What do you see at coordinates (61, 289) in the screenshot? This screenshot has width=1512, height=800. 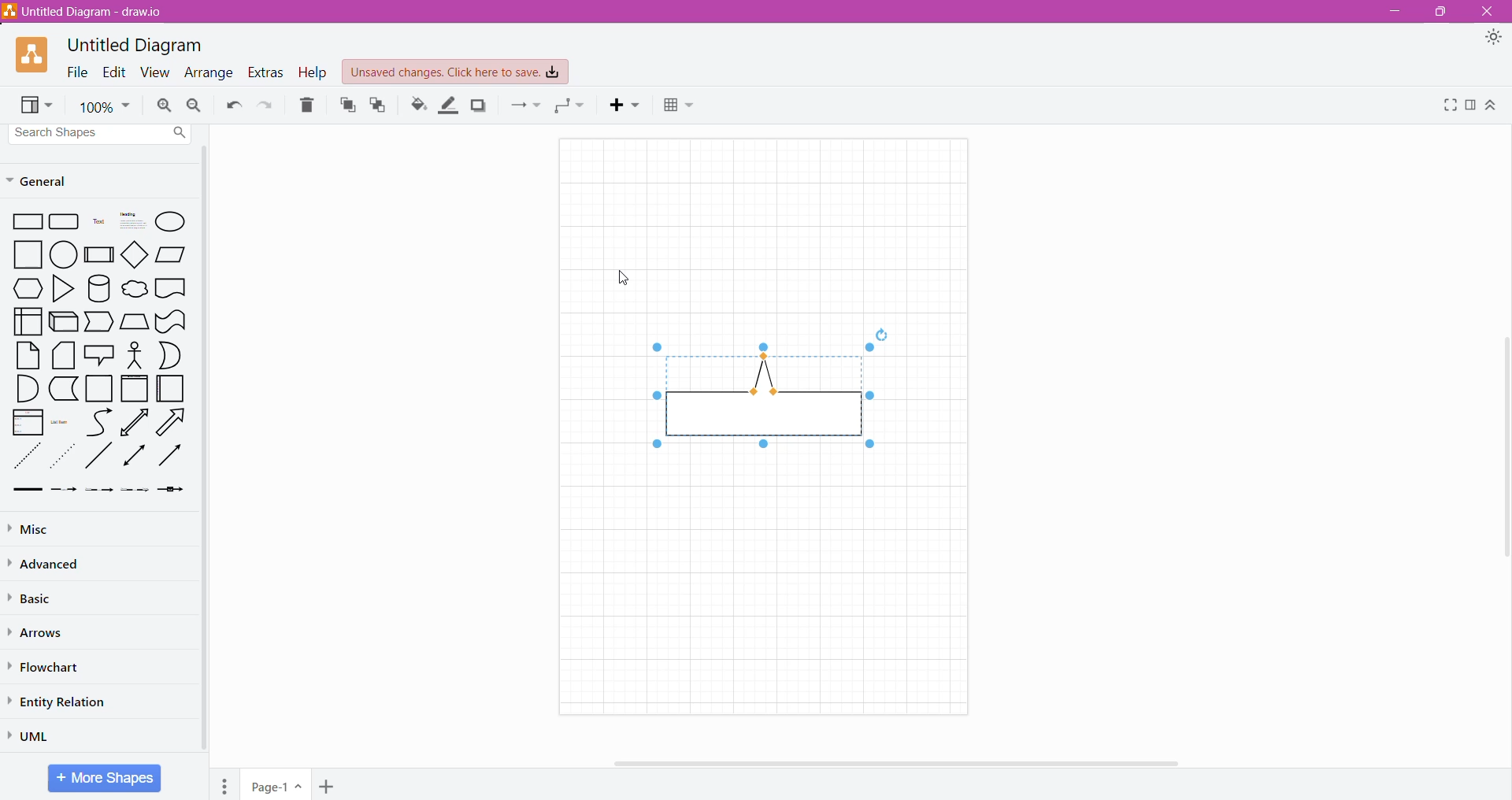 I see `triangle` at bounding box center [61, 289].